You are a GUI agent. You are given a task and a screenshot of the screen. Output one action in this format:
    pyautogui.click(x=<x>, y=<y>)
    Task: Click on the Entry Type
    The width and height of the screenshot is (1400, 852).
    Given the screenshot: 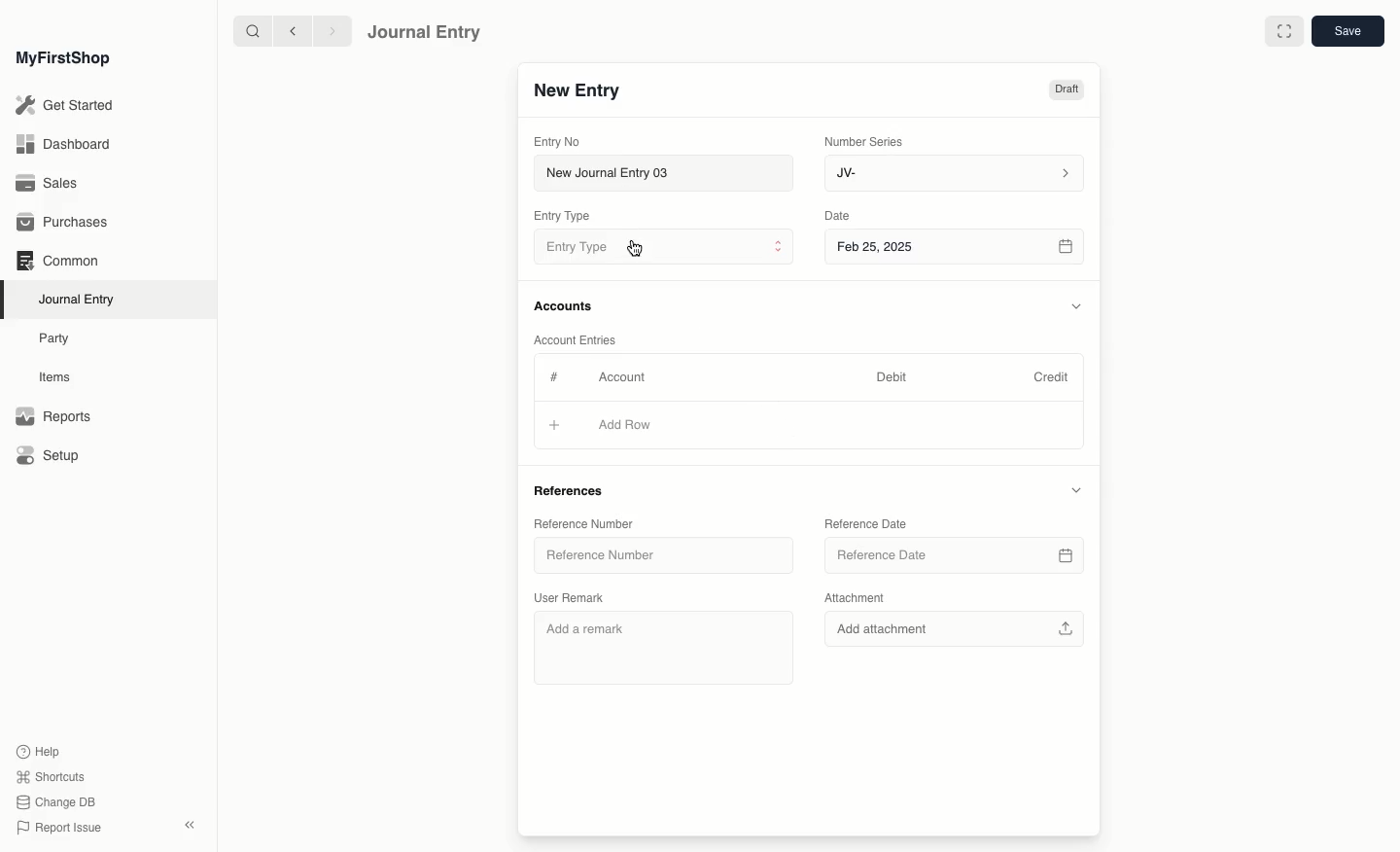 What is the action you would take?
    pyautogui.click(x=568, y=216)
    